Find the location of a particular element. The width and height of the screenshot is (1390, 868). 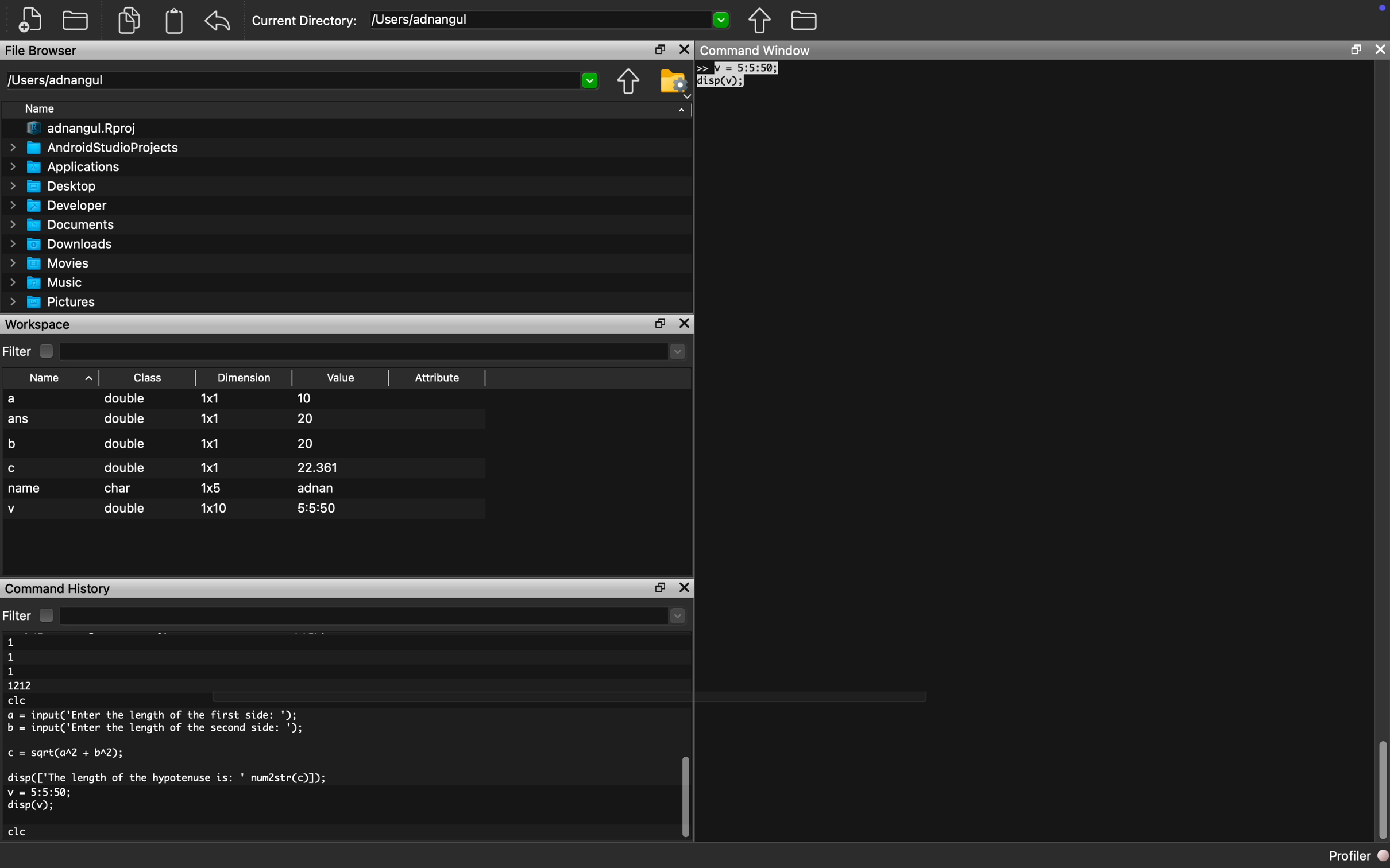

Filter is located at coordinates (31, 351).